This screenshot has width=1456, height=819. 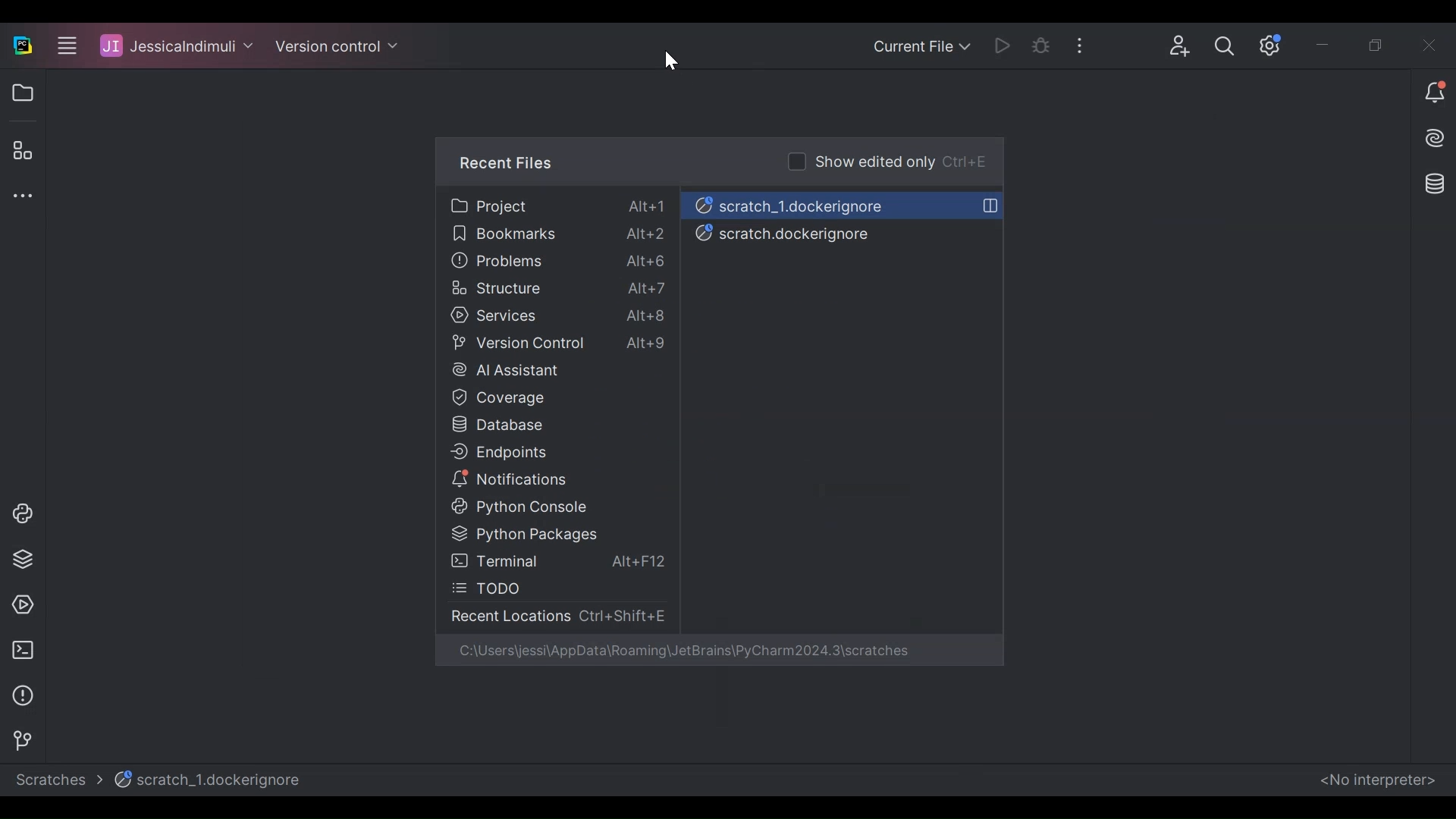 What do you see at coordinates (1377, 781) in the screenshot?
I see `No interpreter` at bounding box center [1377, 781].